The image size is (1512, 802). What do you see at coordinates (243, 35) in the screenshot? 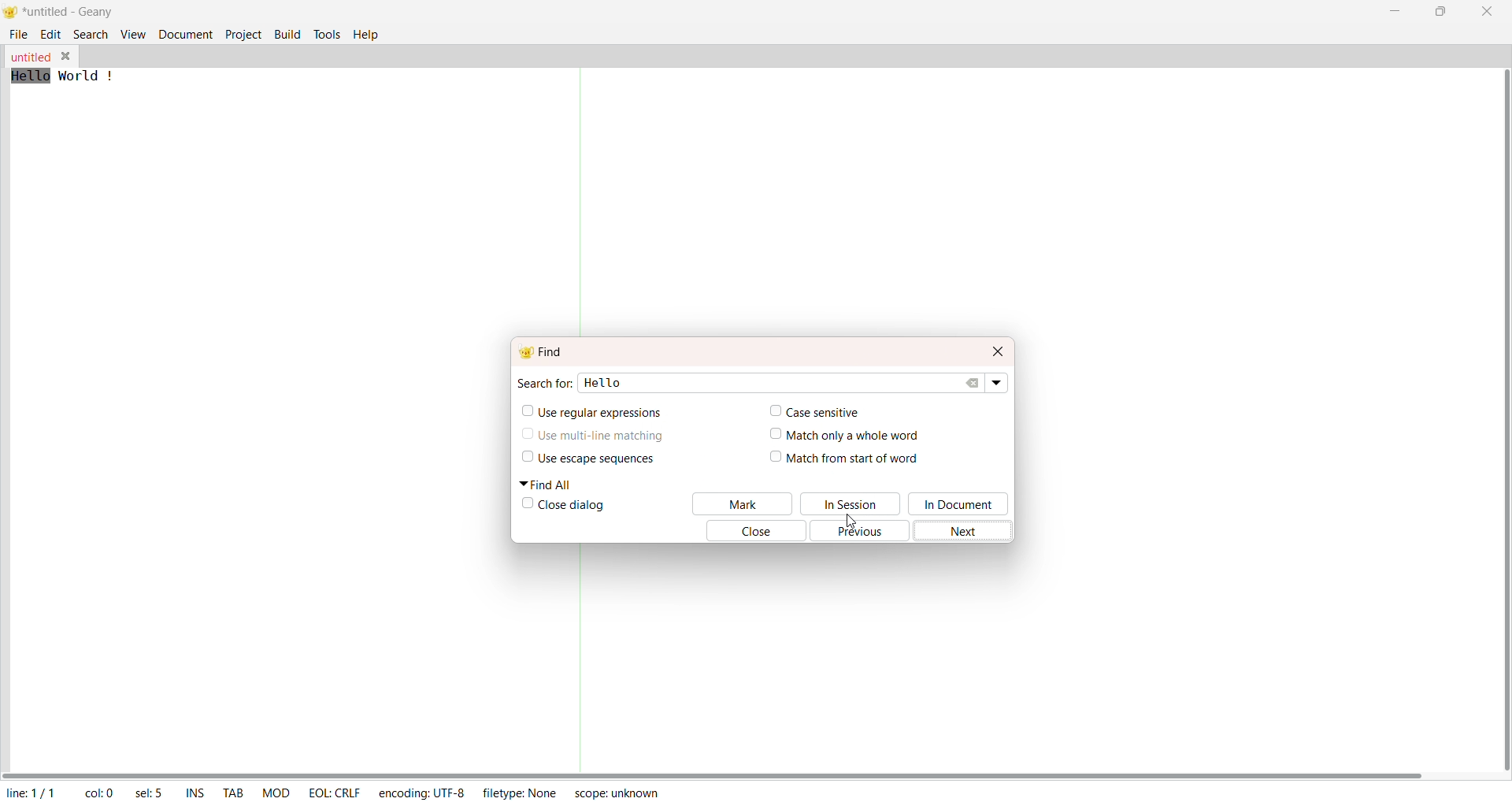
I see `Project` at bounding box center [243, 35].